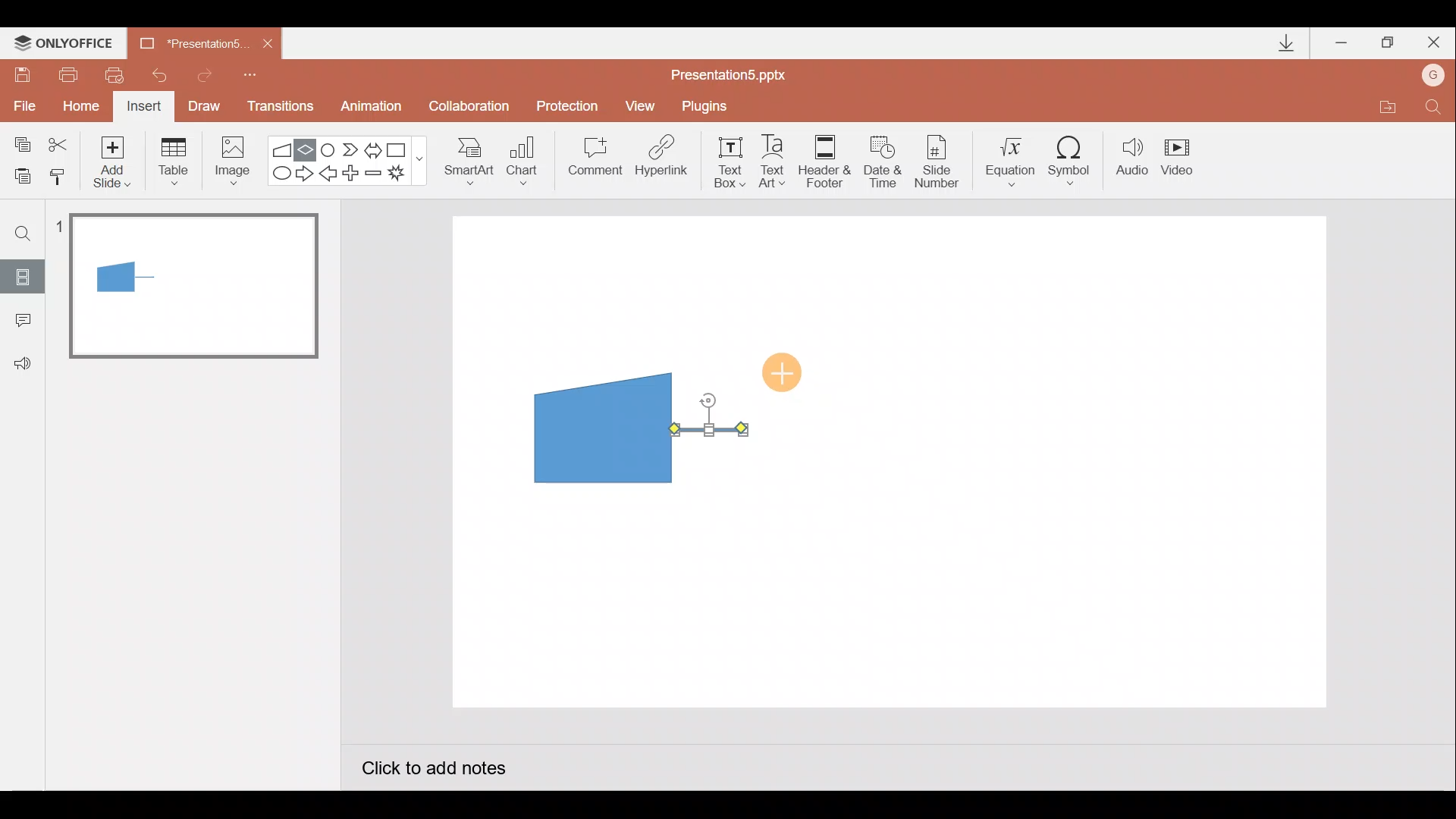 The height and width of the screenshot is (819, 1456). What do you see at coordinates (1388, 43) in the screenshot?
I see `Maximize` at bounding box center [1388, 43].